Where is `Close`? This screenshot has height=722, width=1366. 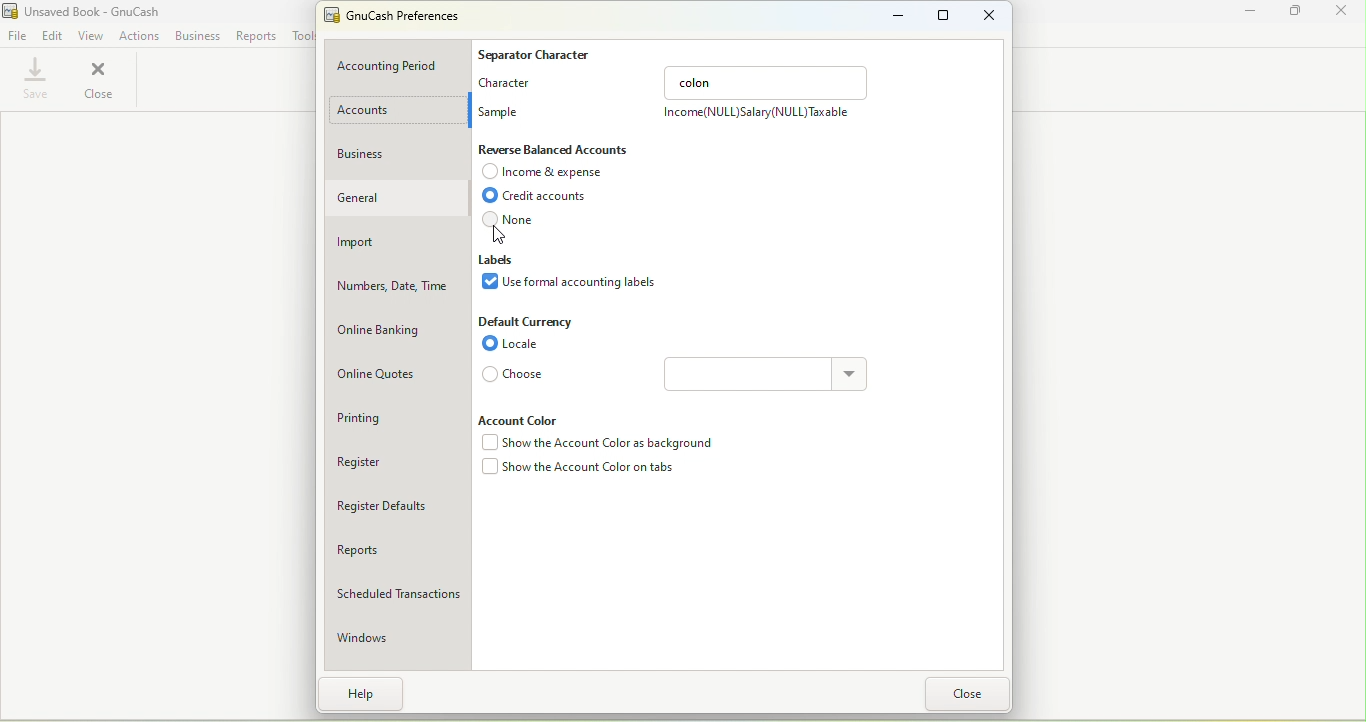 Close is located at coordinates (970, 695).